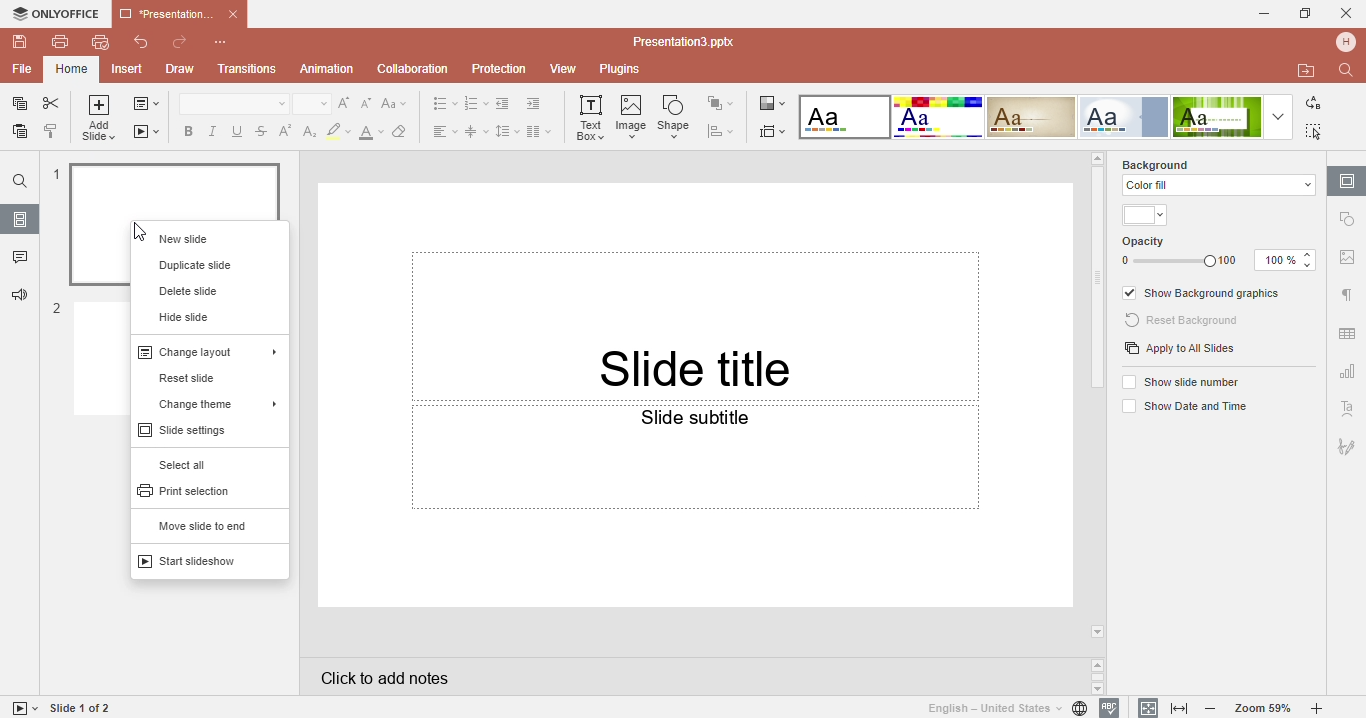 This screenshot has width=1366, height=718. I want to click on Text art setting, so click(1347, 408).